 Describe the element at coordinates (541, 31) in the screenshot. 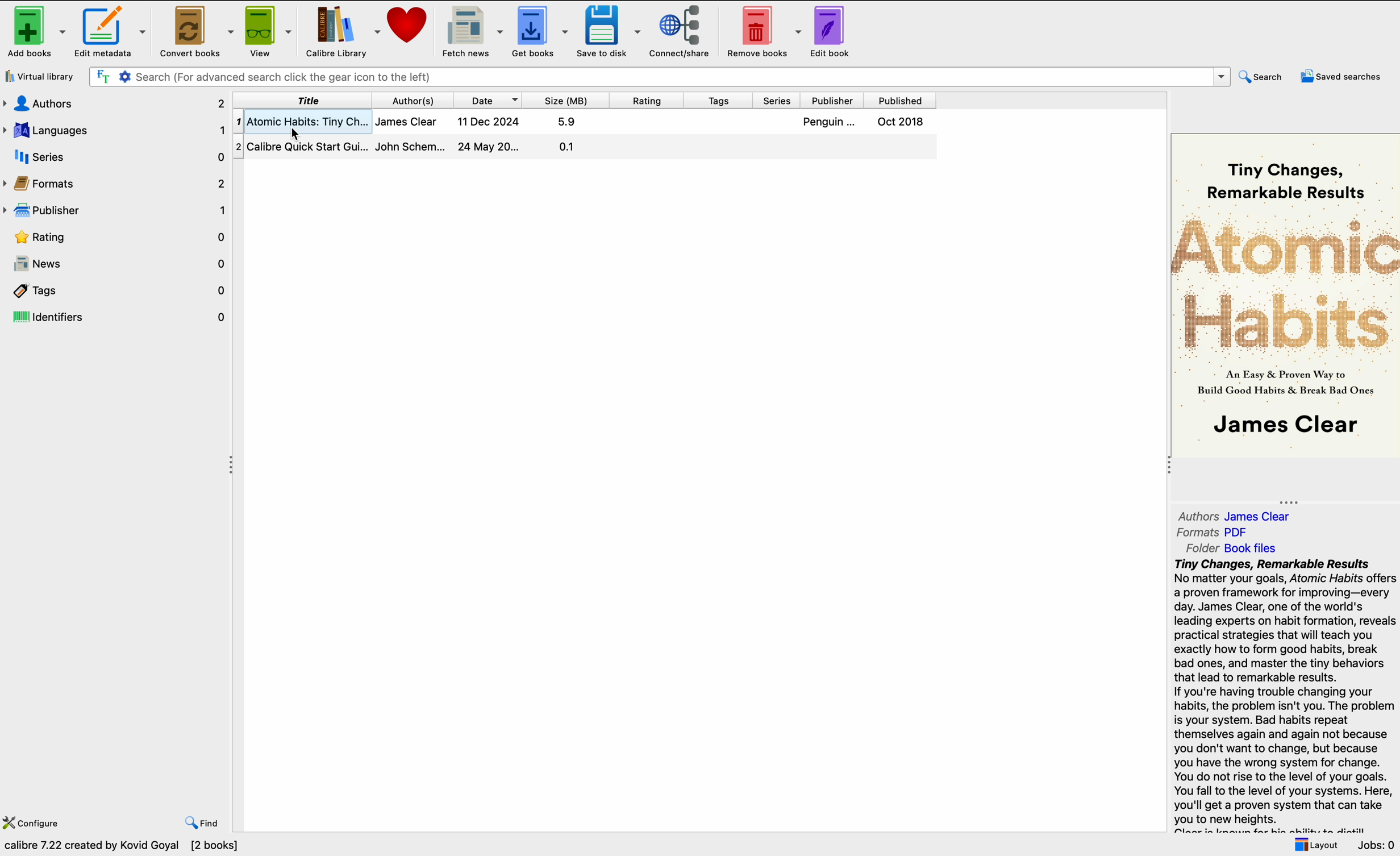

I see `get books` at that location.